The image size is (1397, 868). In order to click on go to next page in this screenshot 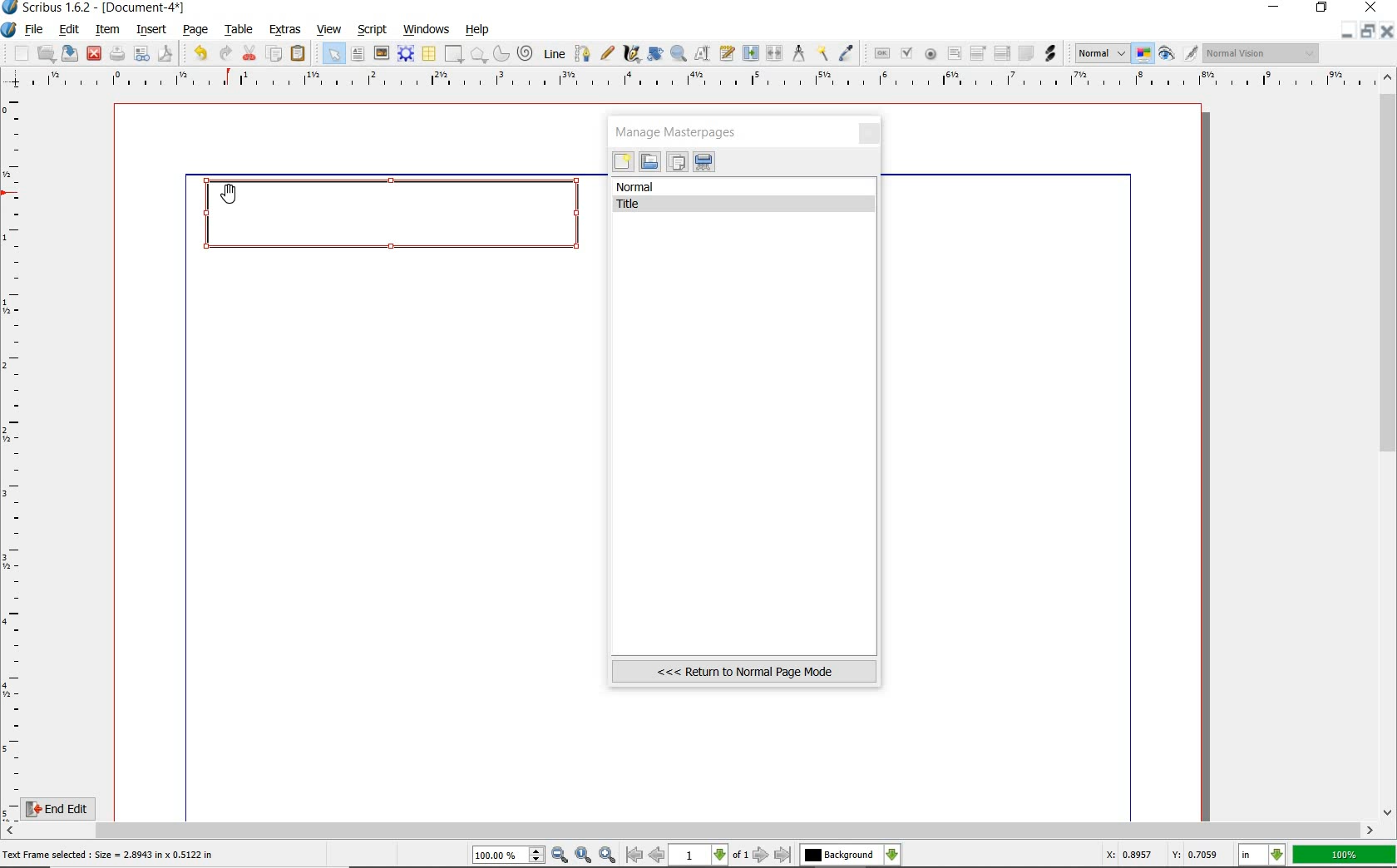, I will do `click(763, 855)`.